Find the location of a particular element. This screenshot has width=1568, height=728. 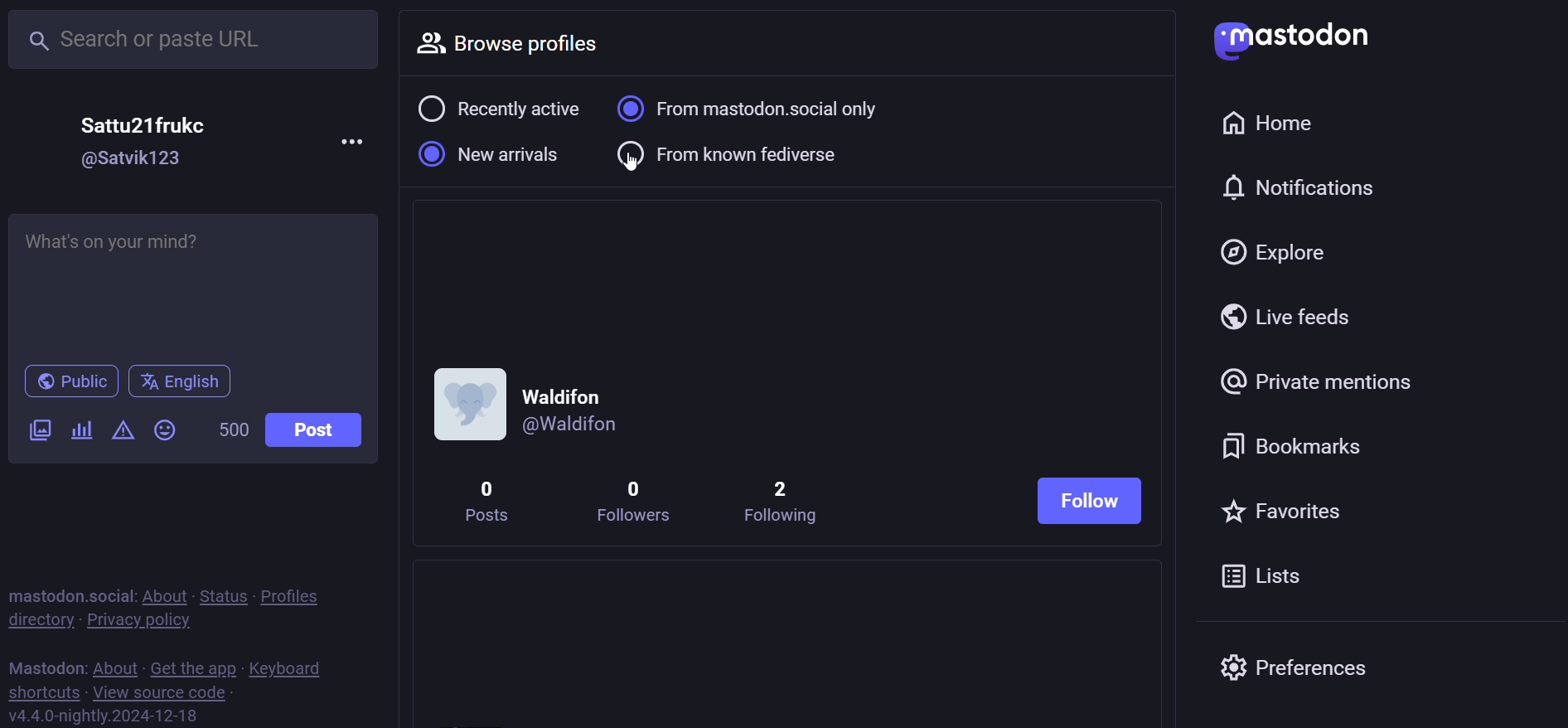

v4.4.0-nightly.2024-12-18 is located at coordinates (100, 715).